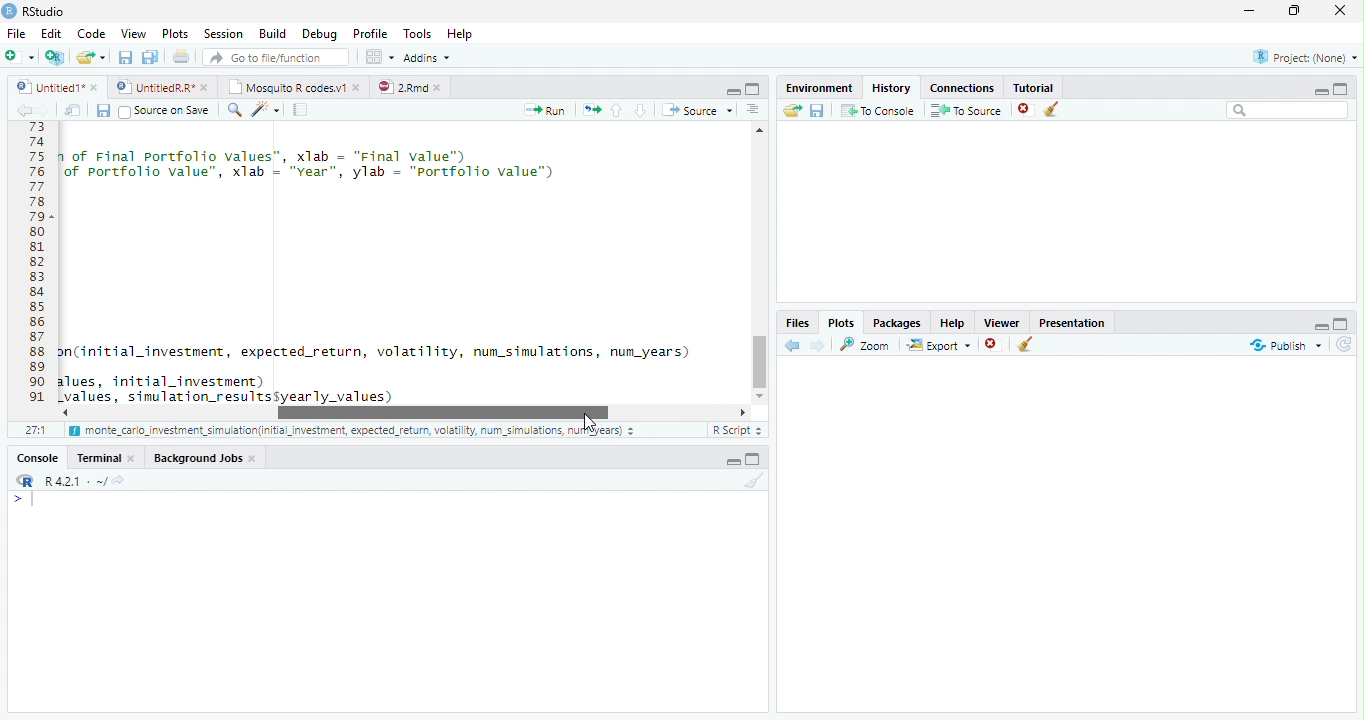 This screenshot has width=1364, height=720. What do you see at coordinates (91, 56) in the screenshot?
I see `Open an existing file` at bounding box center [91, 56].